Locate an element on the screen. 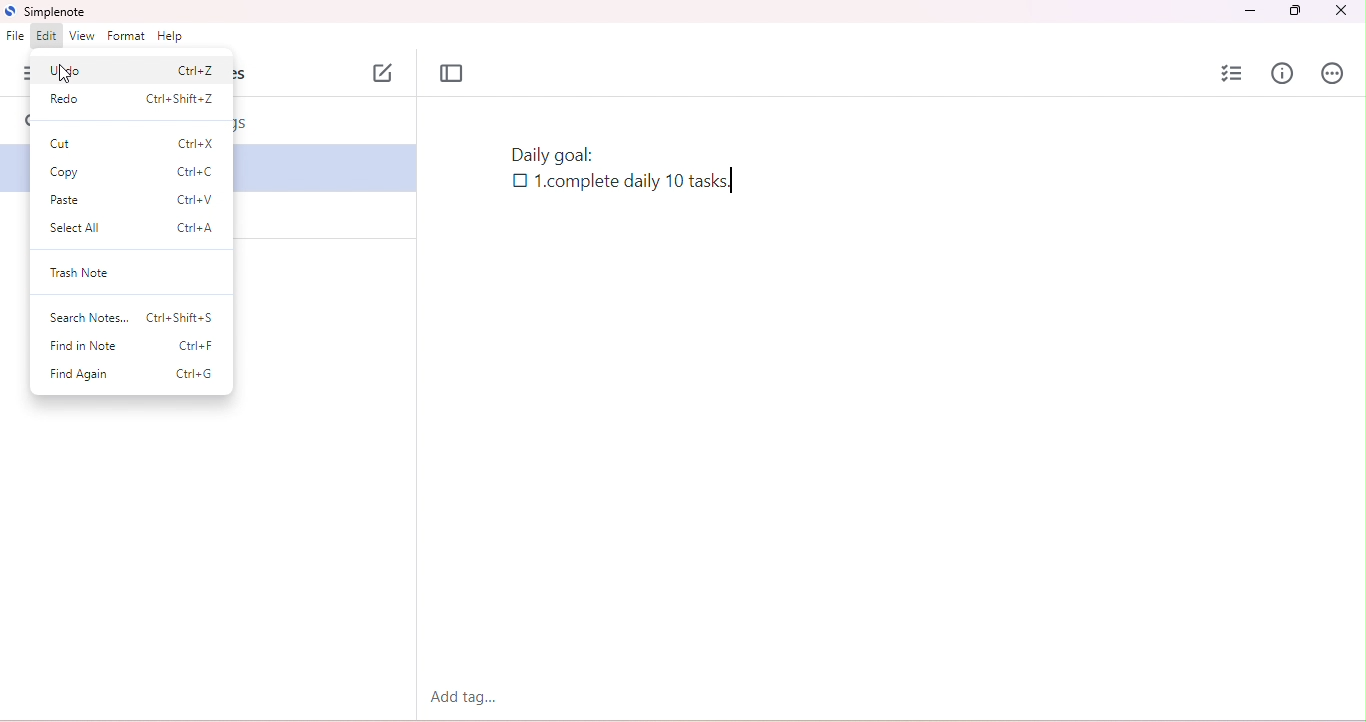 The width and height of the screenshot is (1366, 722). cursor moved is located at coordinates (66, 74).